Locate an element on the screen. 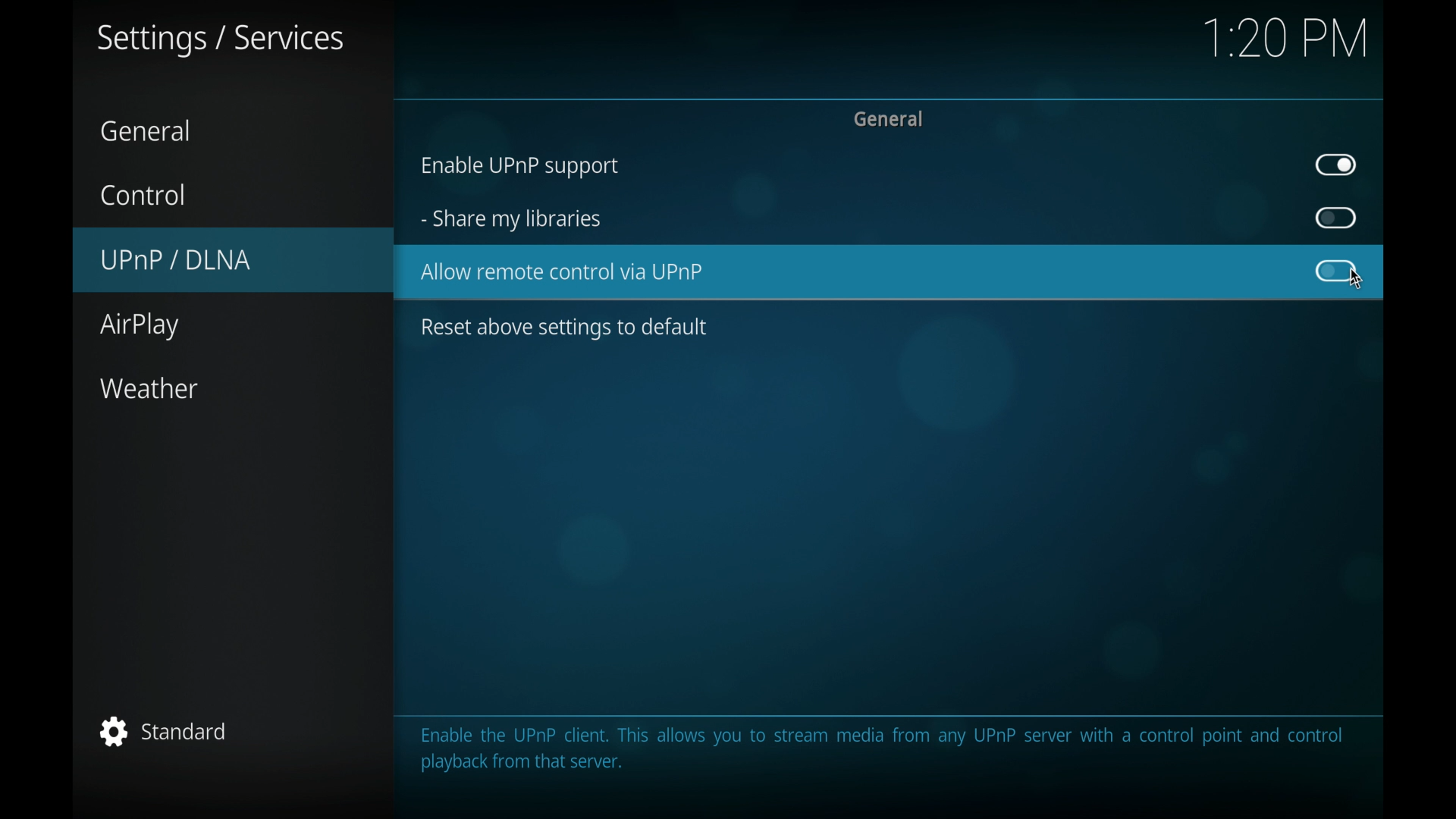  airplay is located at coordinates (138, 327).